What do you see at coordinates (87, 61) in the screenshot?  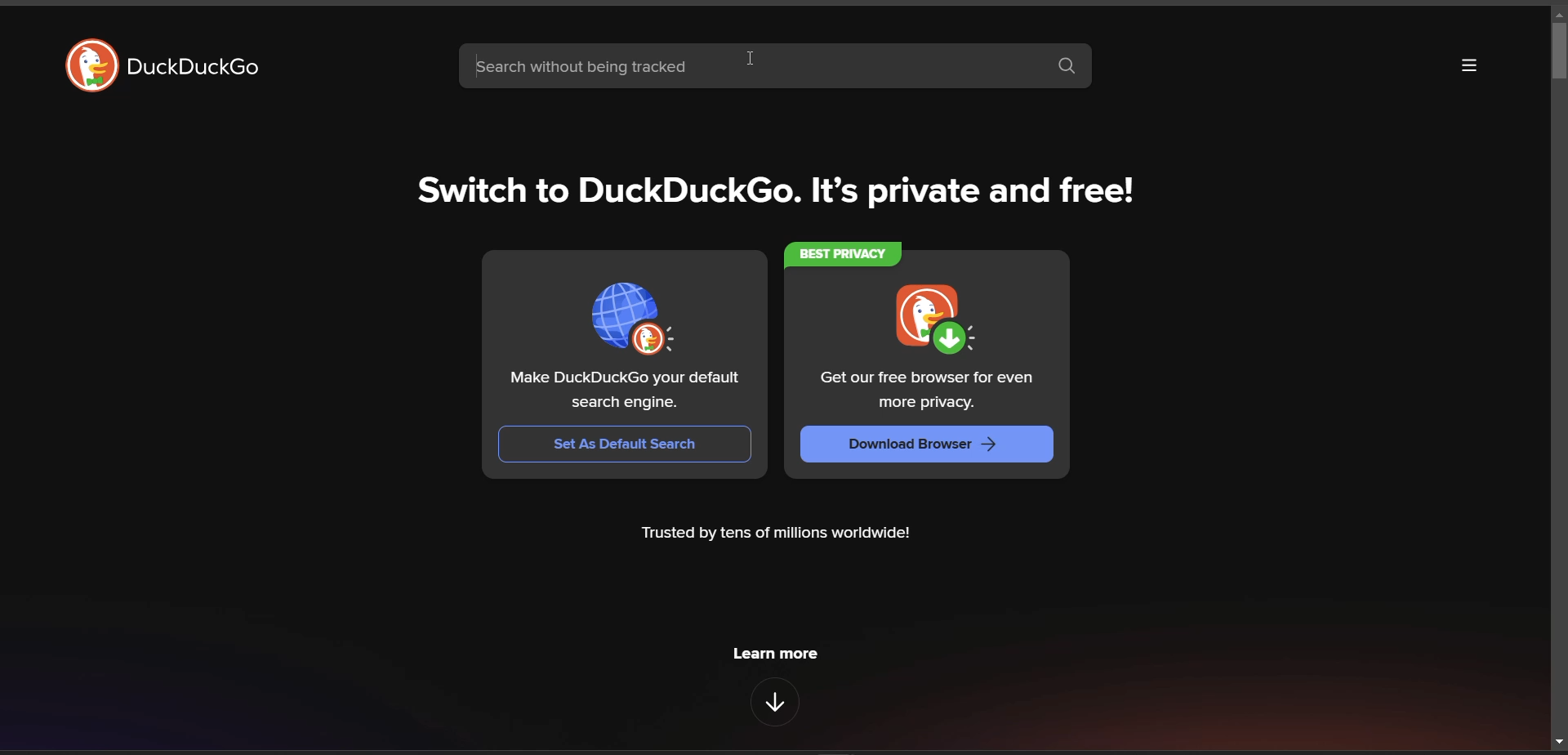 I see `DuckDuckGo Logo` at bounding box center [87, 61].